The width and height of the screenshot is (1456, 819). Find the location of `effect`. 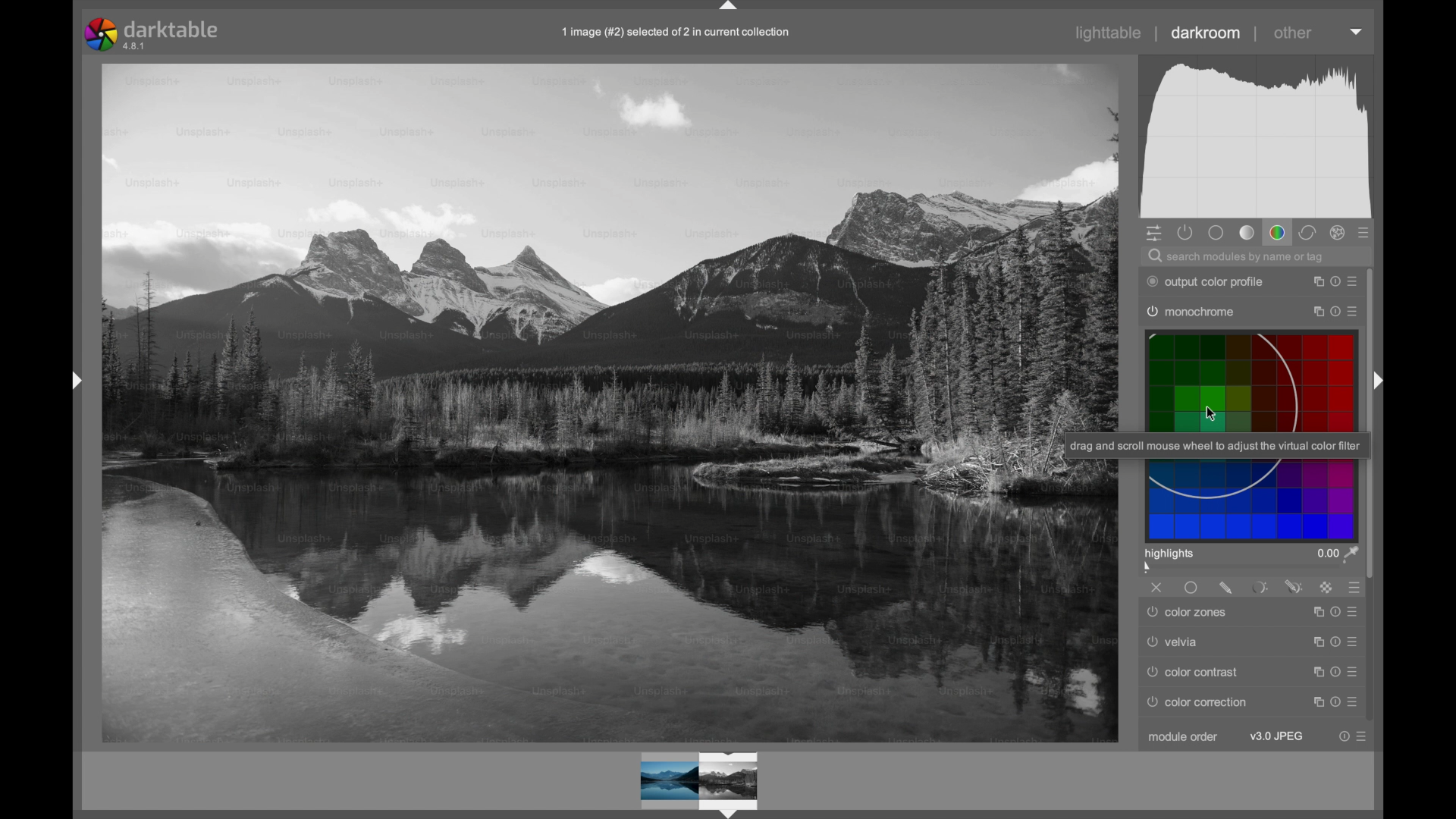

effect is located at coordinates (1338, 233).